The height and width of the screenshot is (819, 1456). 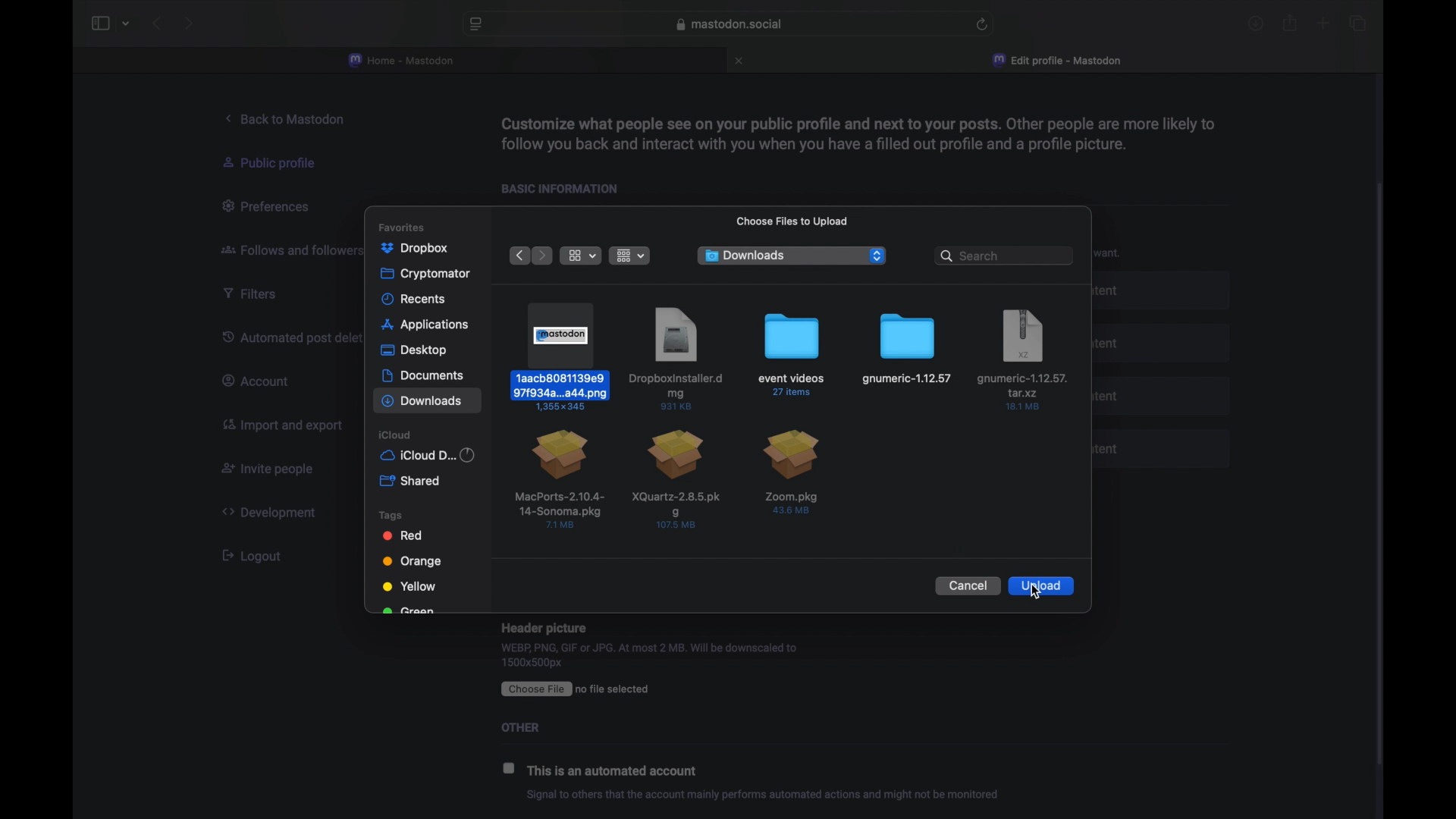 What do you see at coordinates (475, 25) in the screenshot?
I see `website preferences` at bounding box center [475, 25].